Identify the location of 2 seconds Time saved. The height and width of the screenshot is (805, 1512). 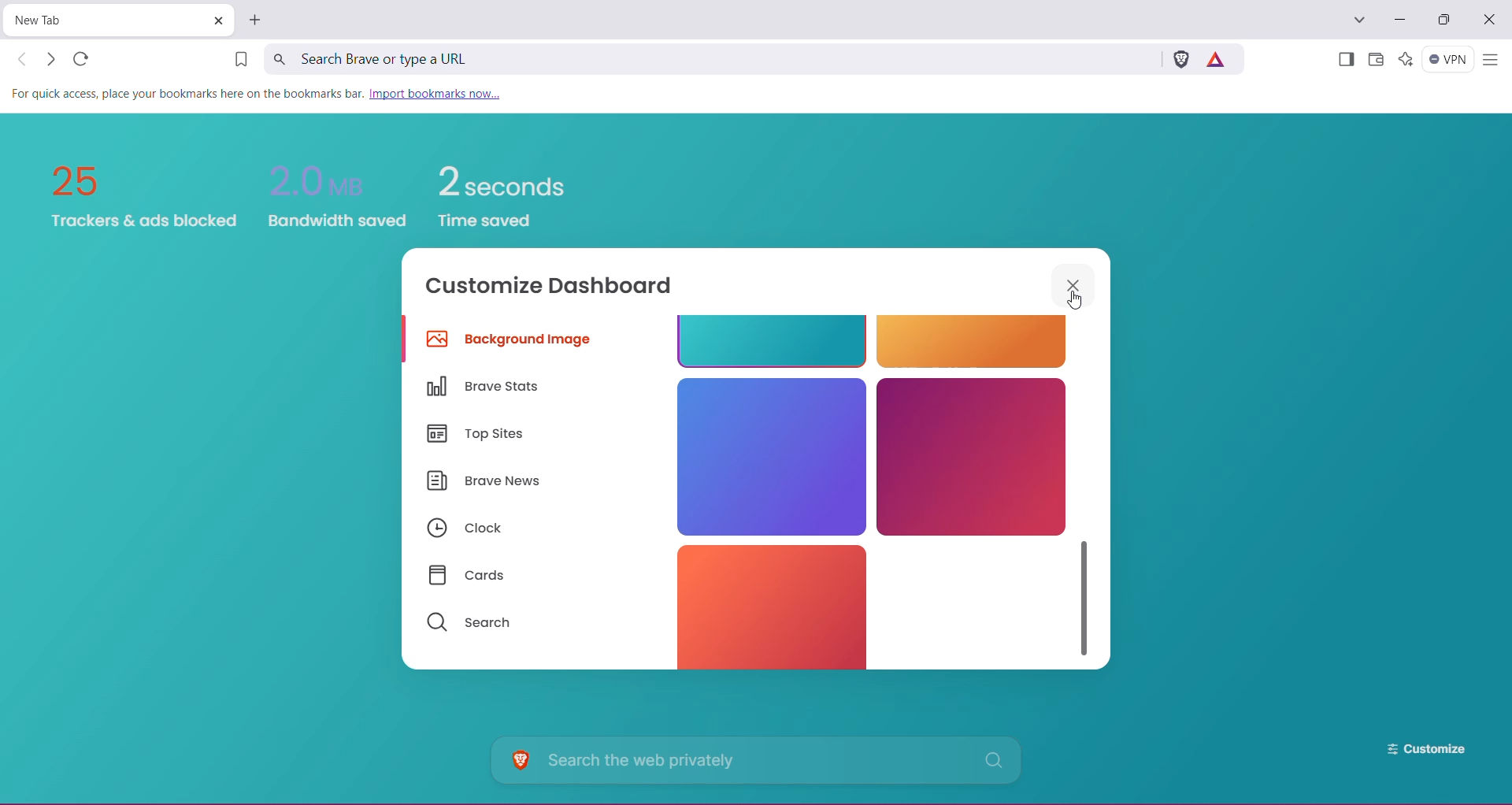
(513, 185).